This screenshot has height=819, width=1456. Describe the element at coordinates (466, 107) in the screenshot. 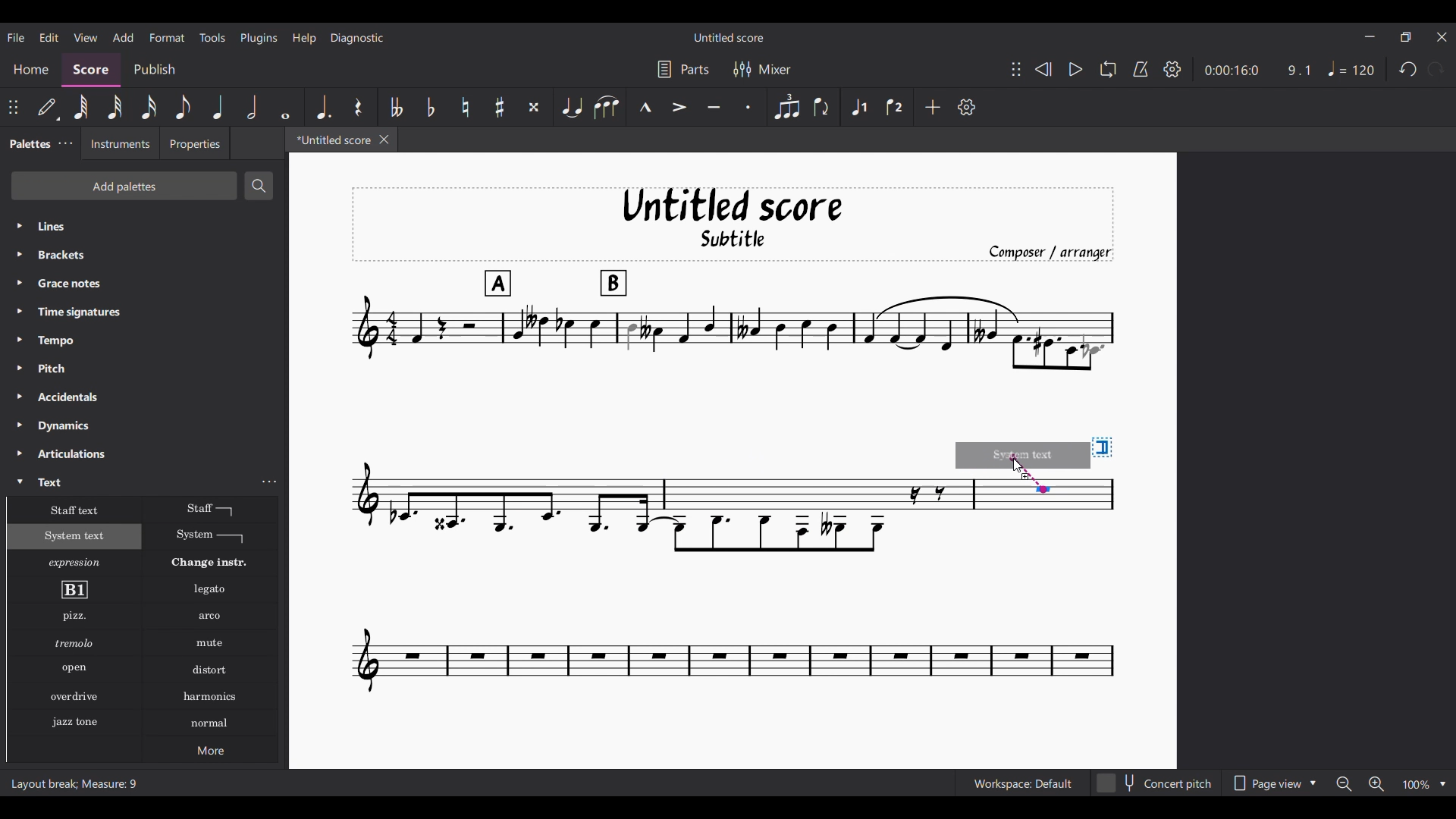

I see `Toggle natural` at that location.